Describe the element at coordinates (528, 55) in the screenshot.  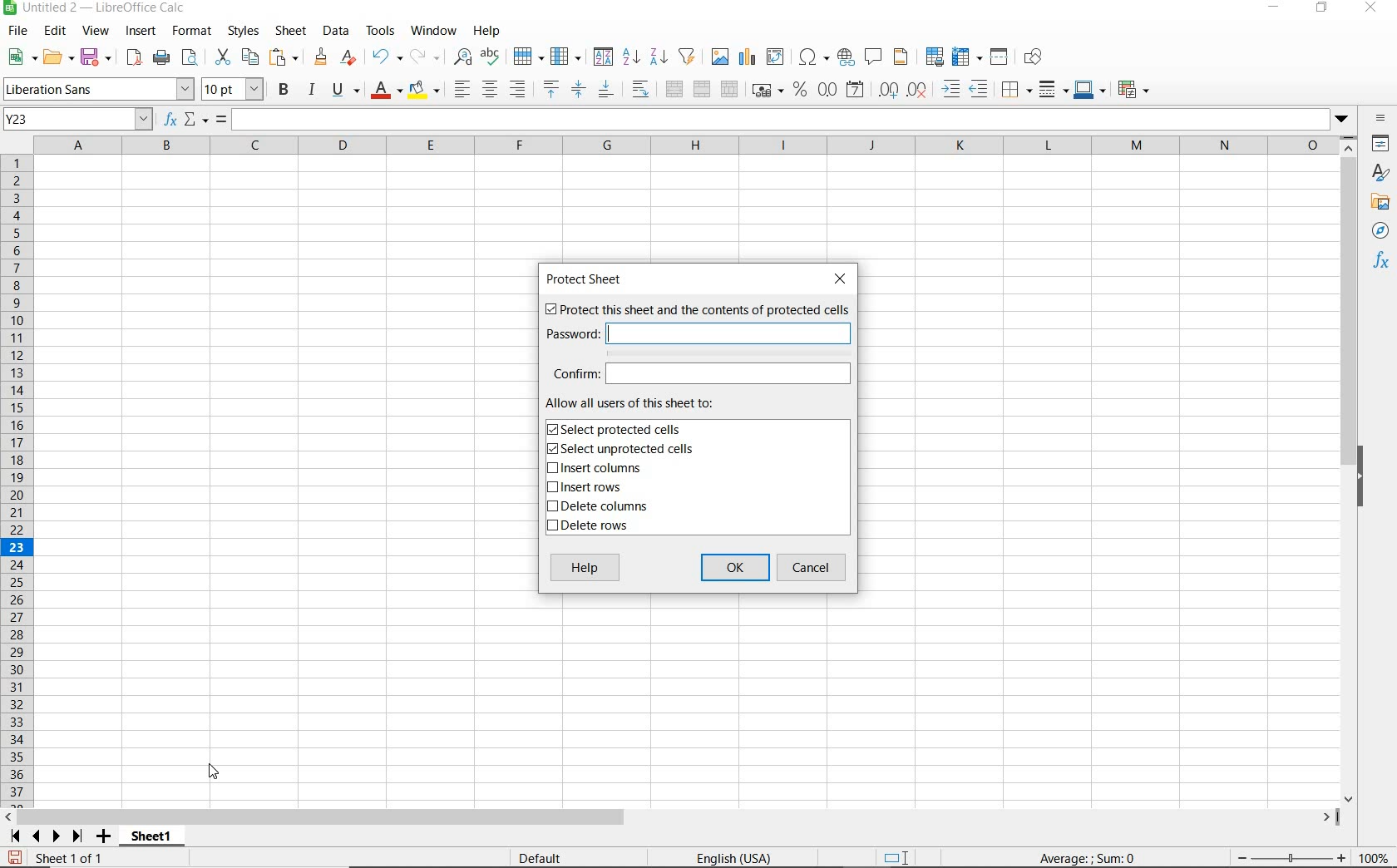
I see `ROW` at that location.